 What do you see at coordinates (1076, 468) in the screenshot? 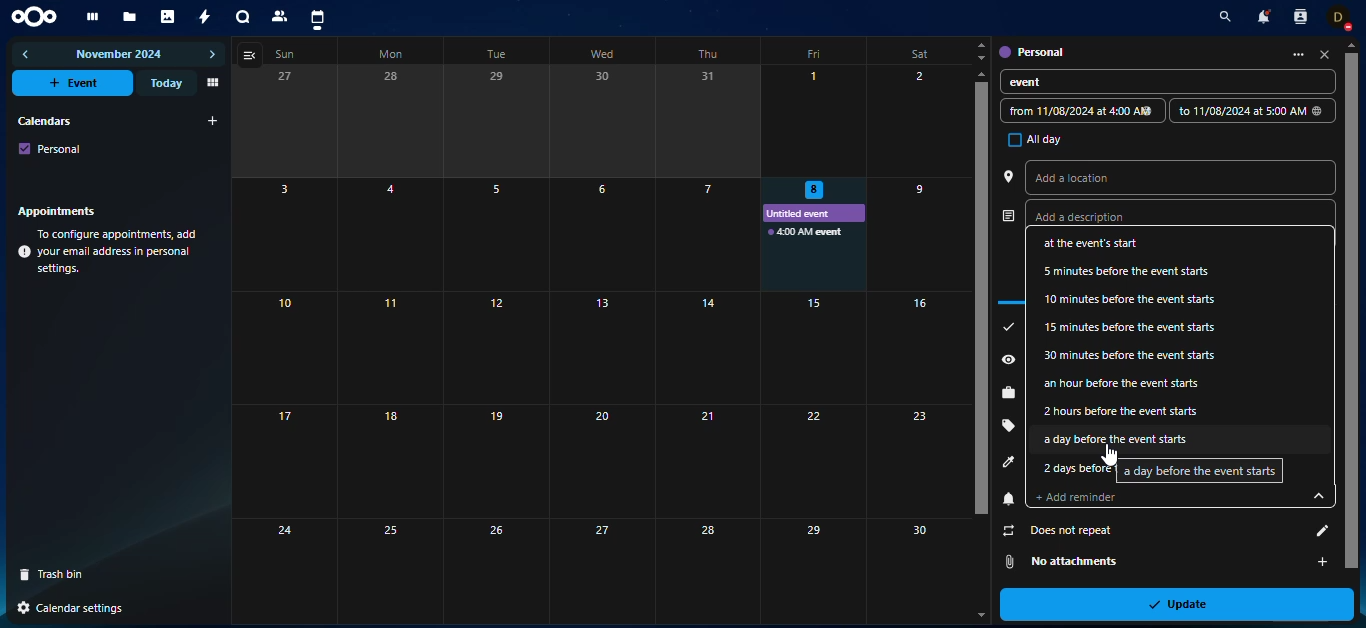
I see `2 days before` at bounding box center [1076, 468].